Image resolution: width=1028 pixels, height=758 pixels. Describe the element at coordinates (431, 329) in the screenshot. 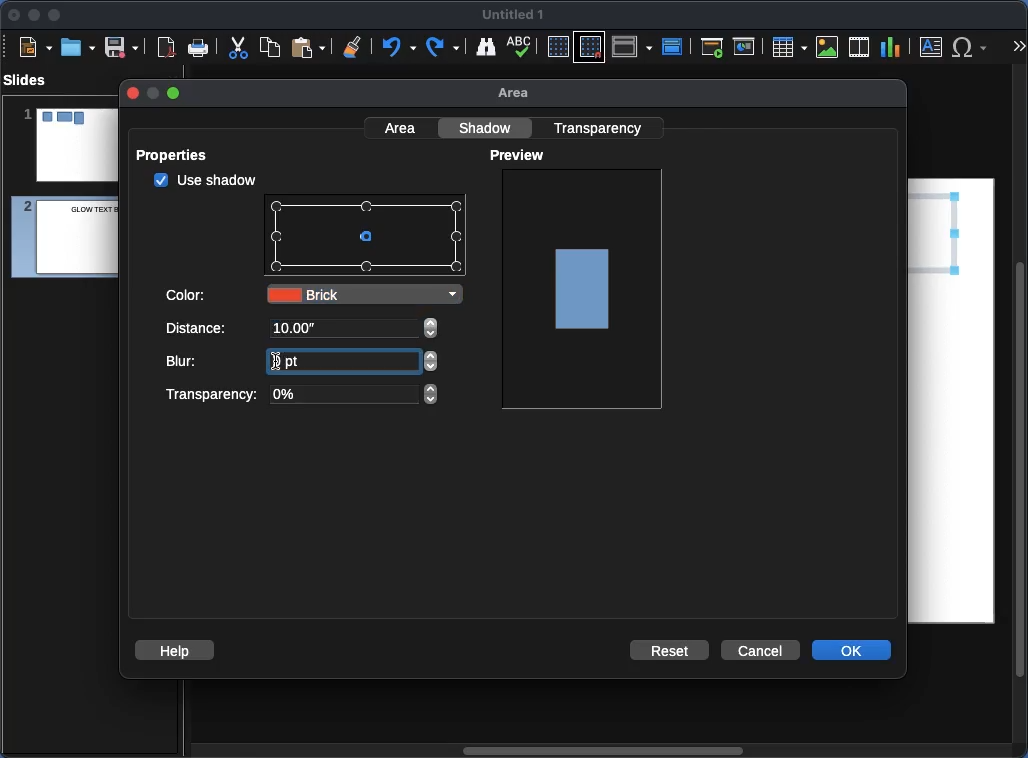

I see `adjust` at that location.